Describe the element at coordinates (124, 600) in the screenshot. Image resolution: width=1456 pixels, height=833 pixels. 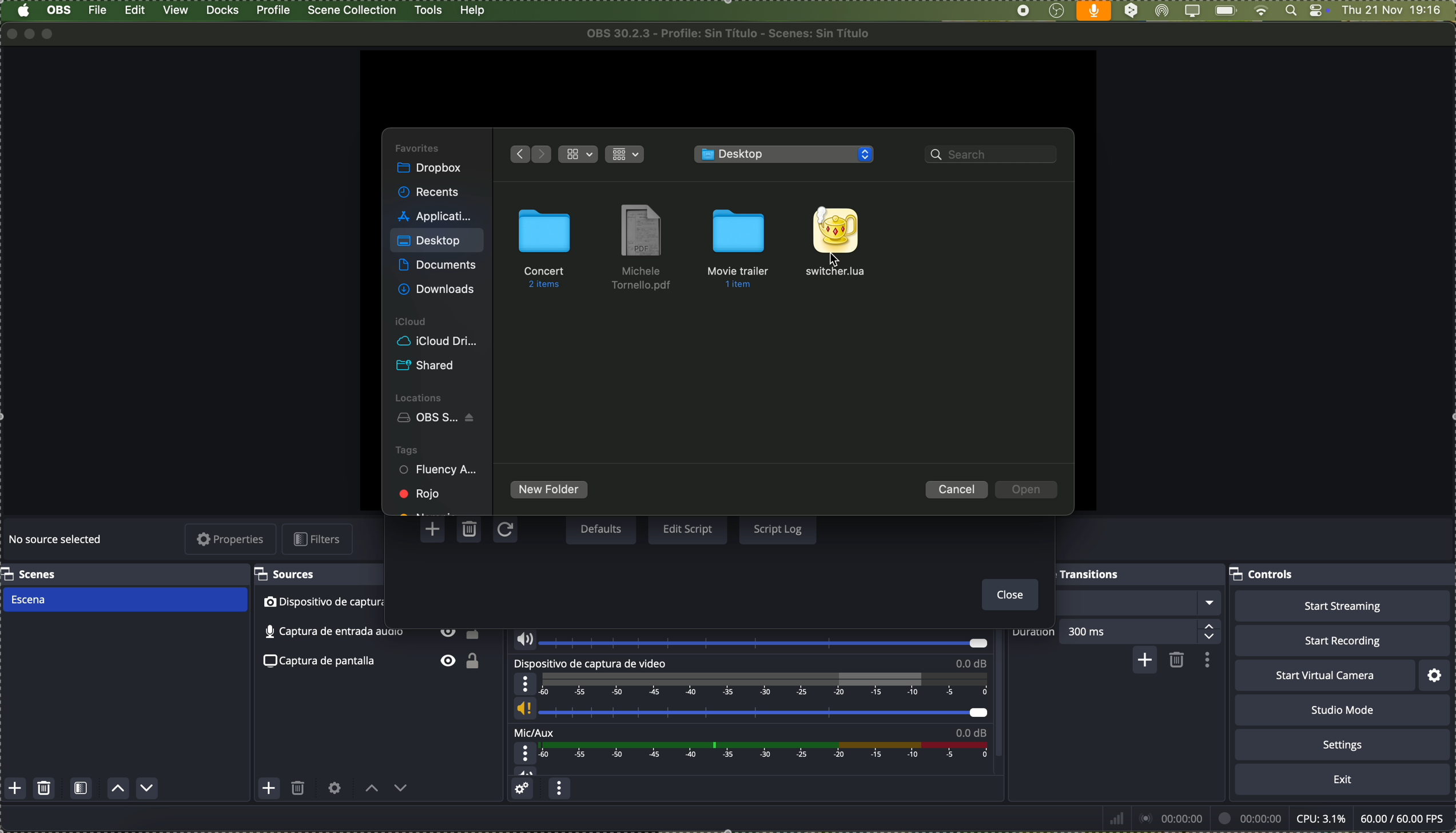
I see `scene` at that location.